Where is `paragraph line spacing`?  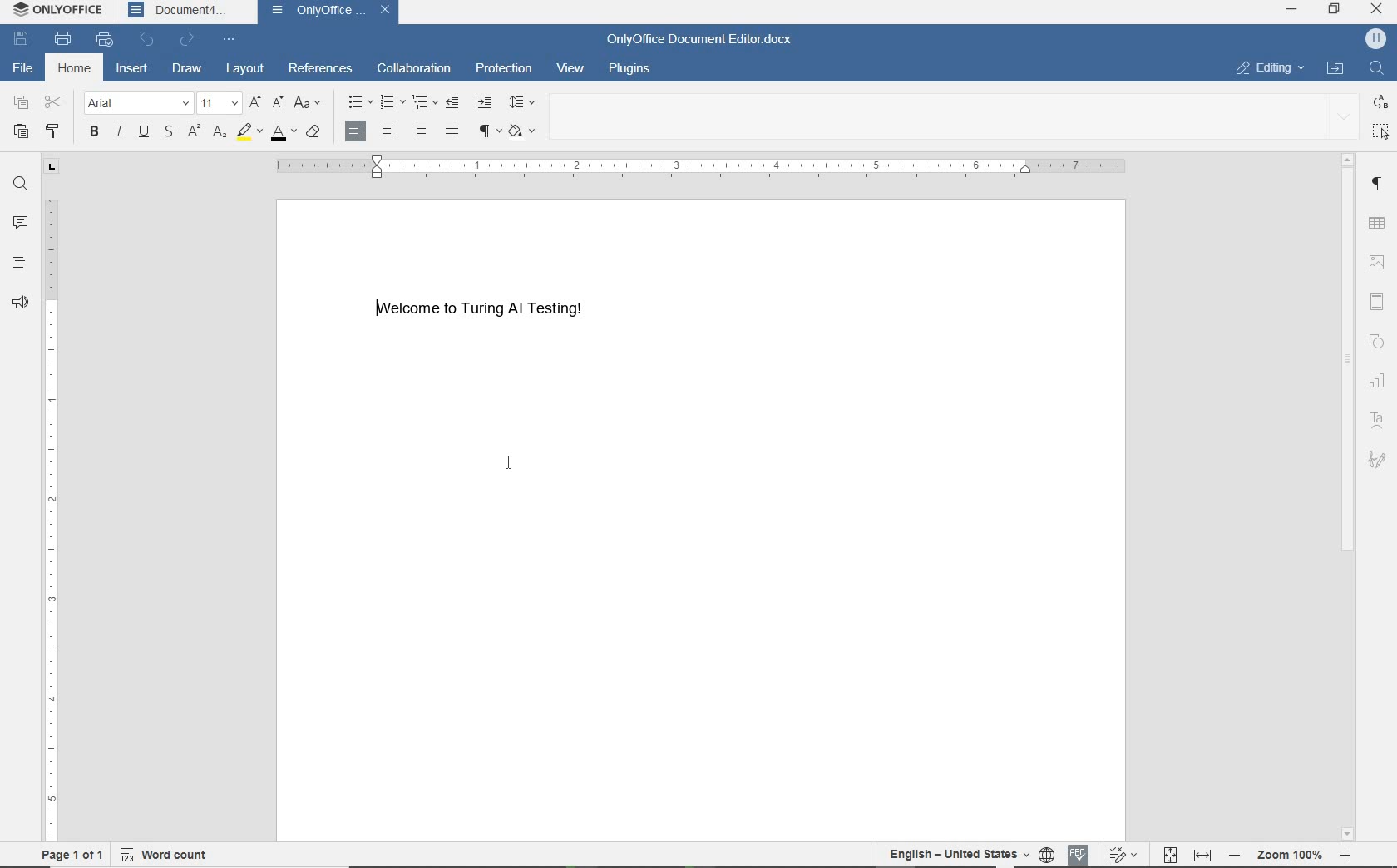
paragraph line spacing is located at coordinates (522, 103).